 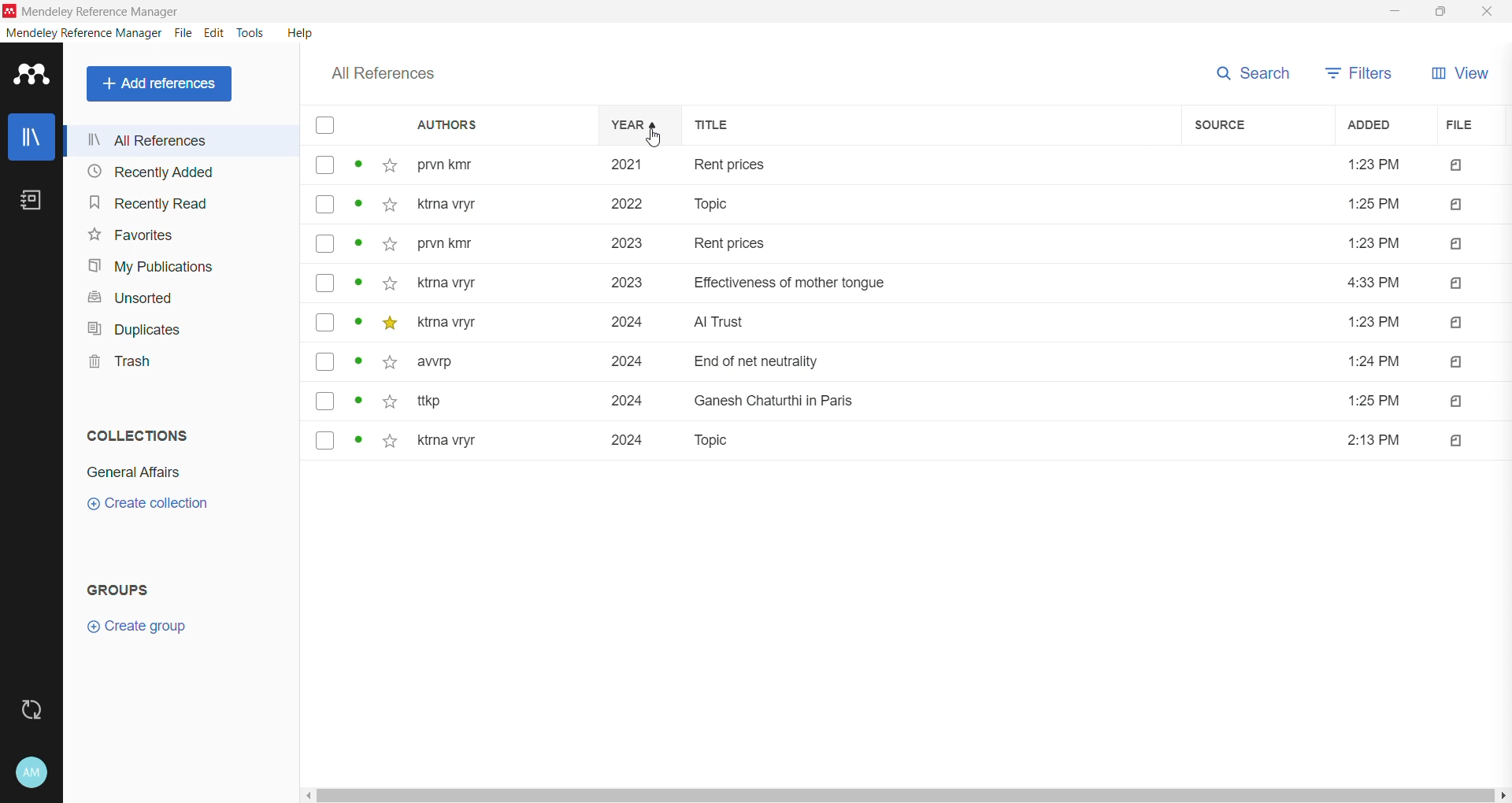 I want to click on file type, so click(x=1458, y=401).